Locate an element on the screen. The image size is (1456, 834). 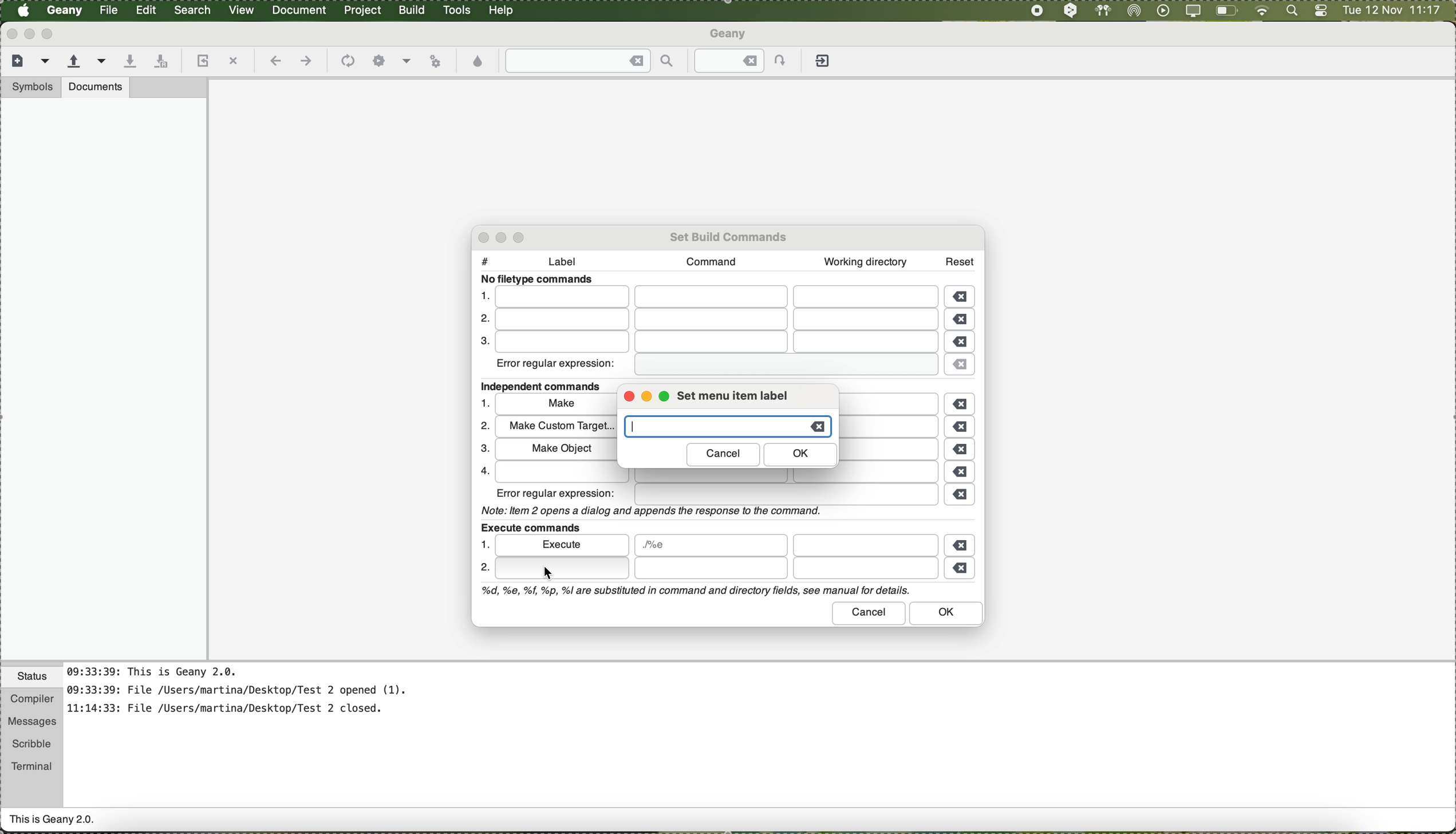
file is located at coordinates (782, 365).